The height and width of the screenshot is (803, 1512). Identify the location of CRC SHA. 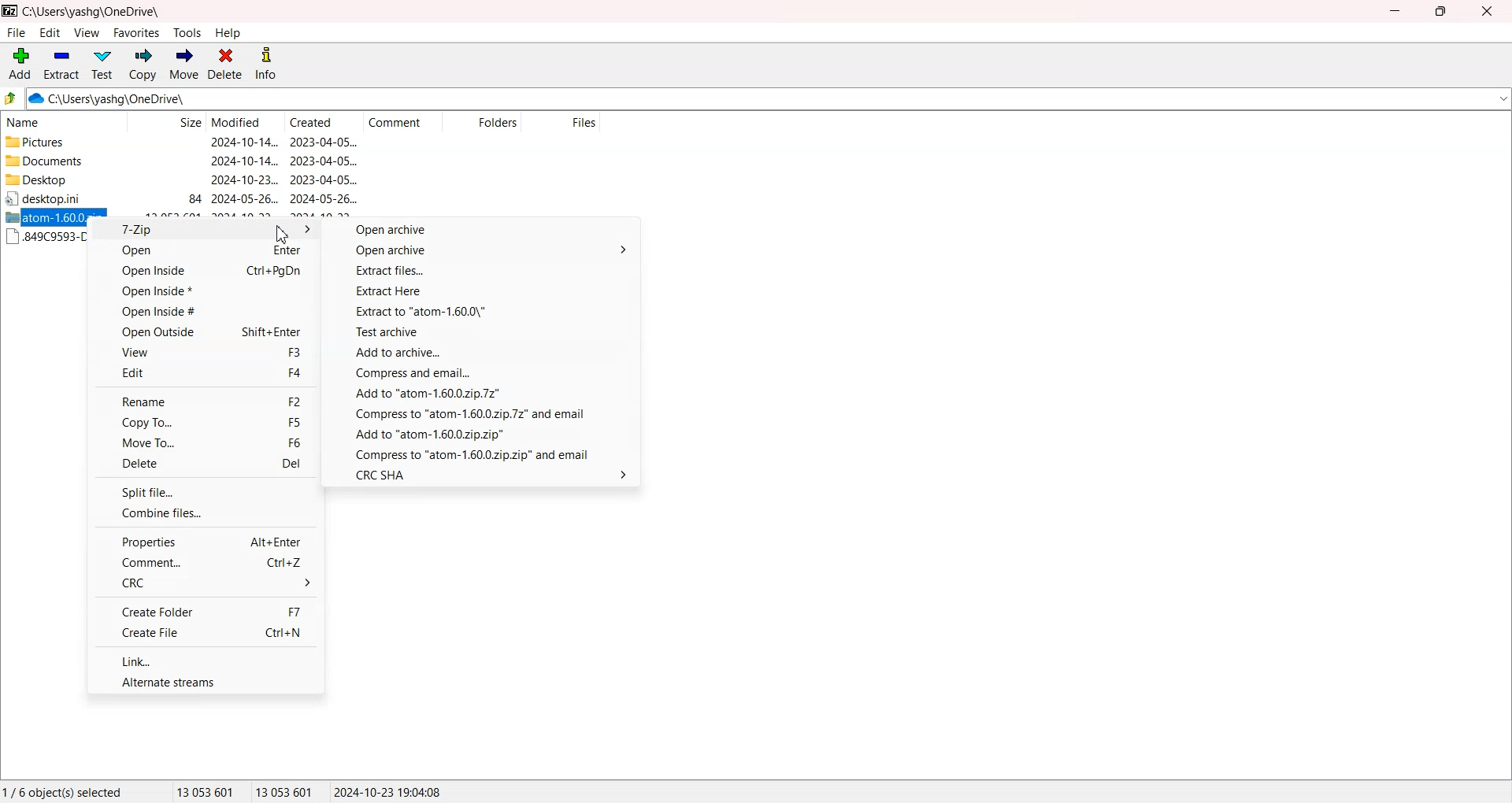
(483, 474).